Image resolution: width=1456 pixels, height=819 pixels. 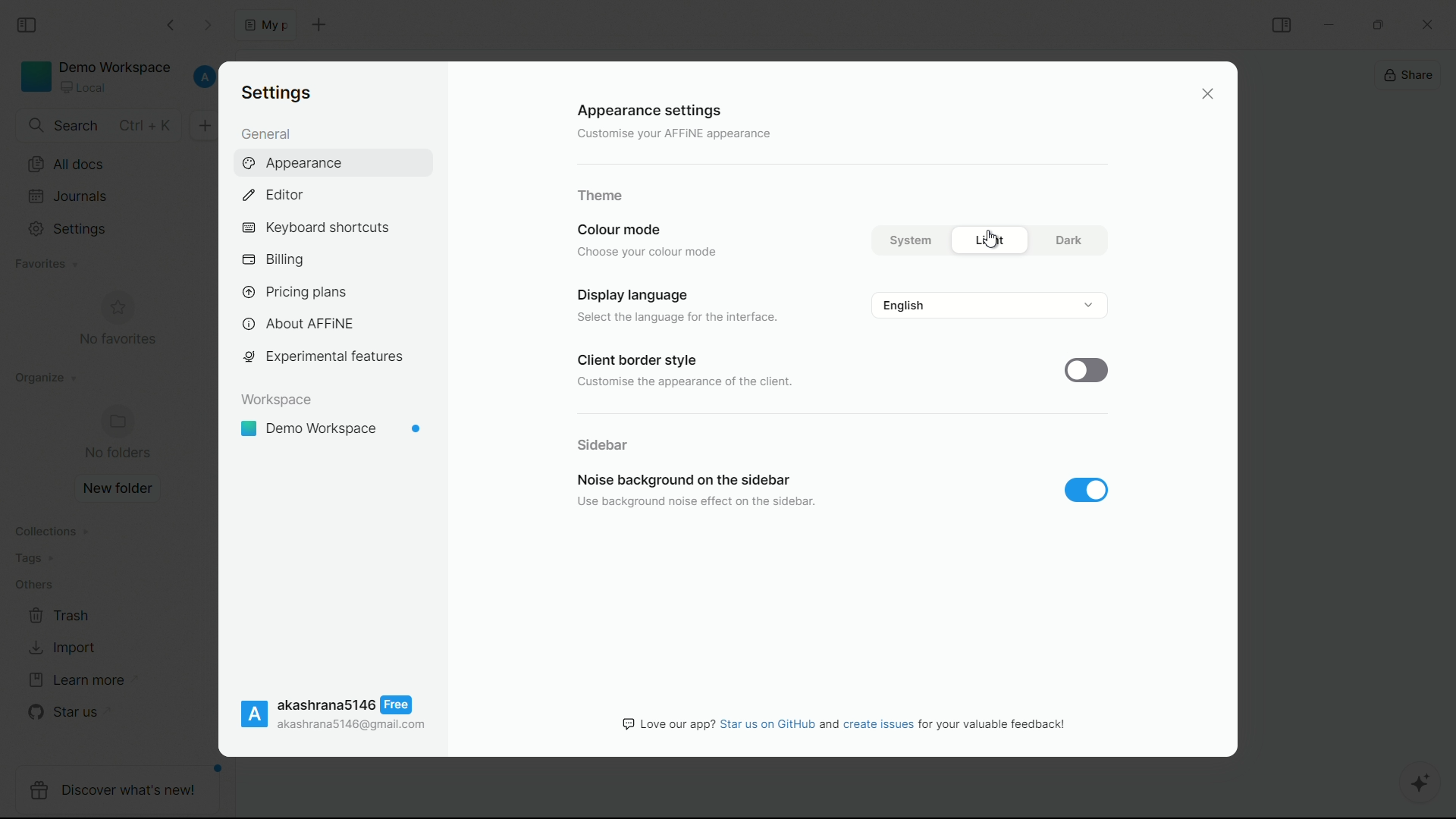 I want to click on Customise the appearance of the client., so click(x=686, y=384).